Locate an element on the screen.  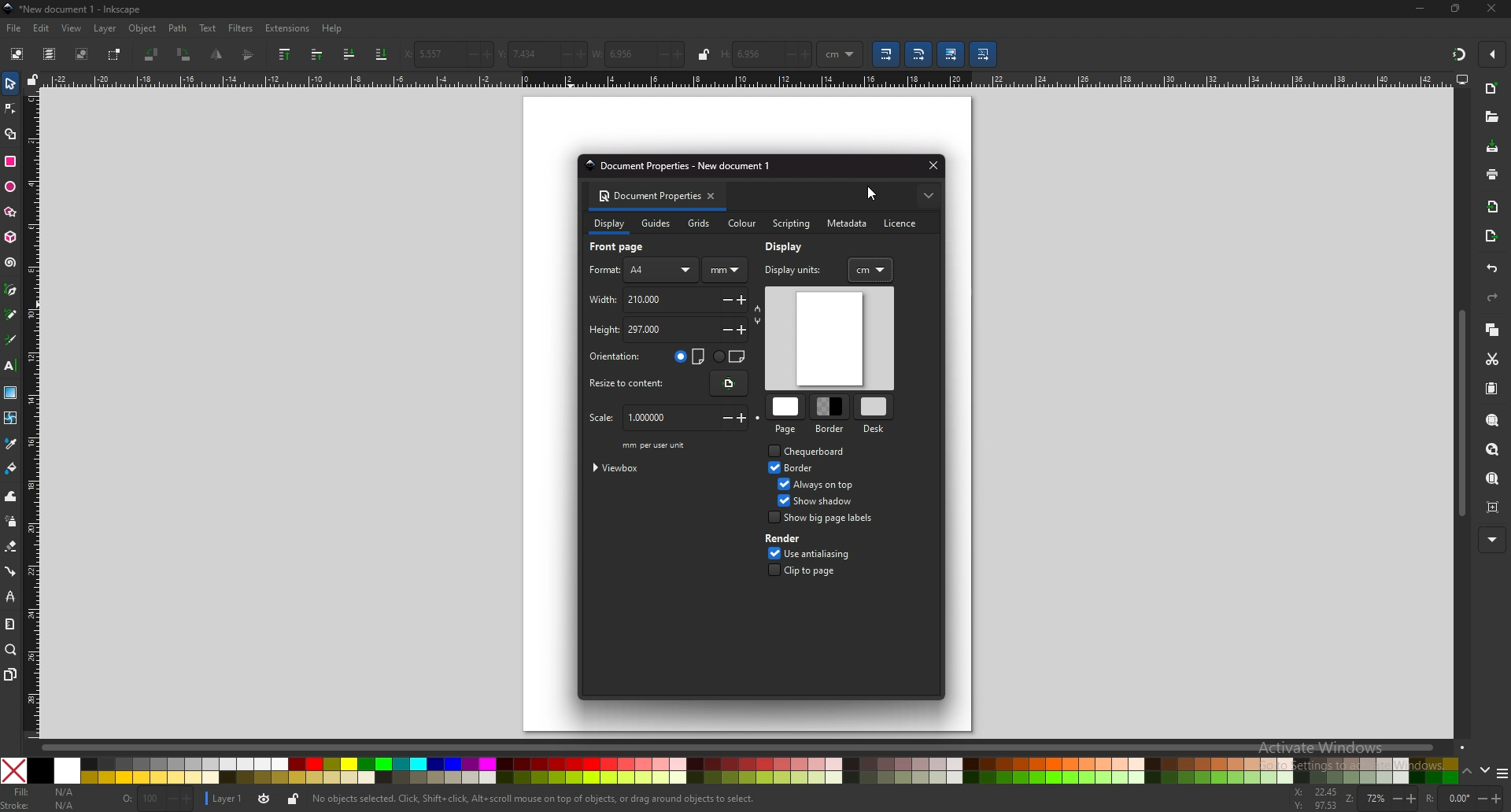
copy is located at coordinates (1493, 330).